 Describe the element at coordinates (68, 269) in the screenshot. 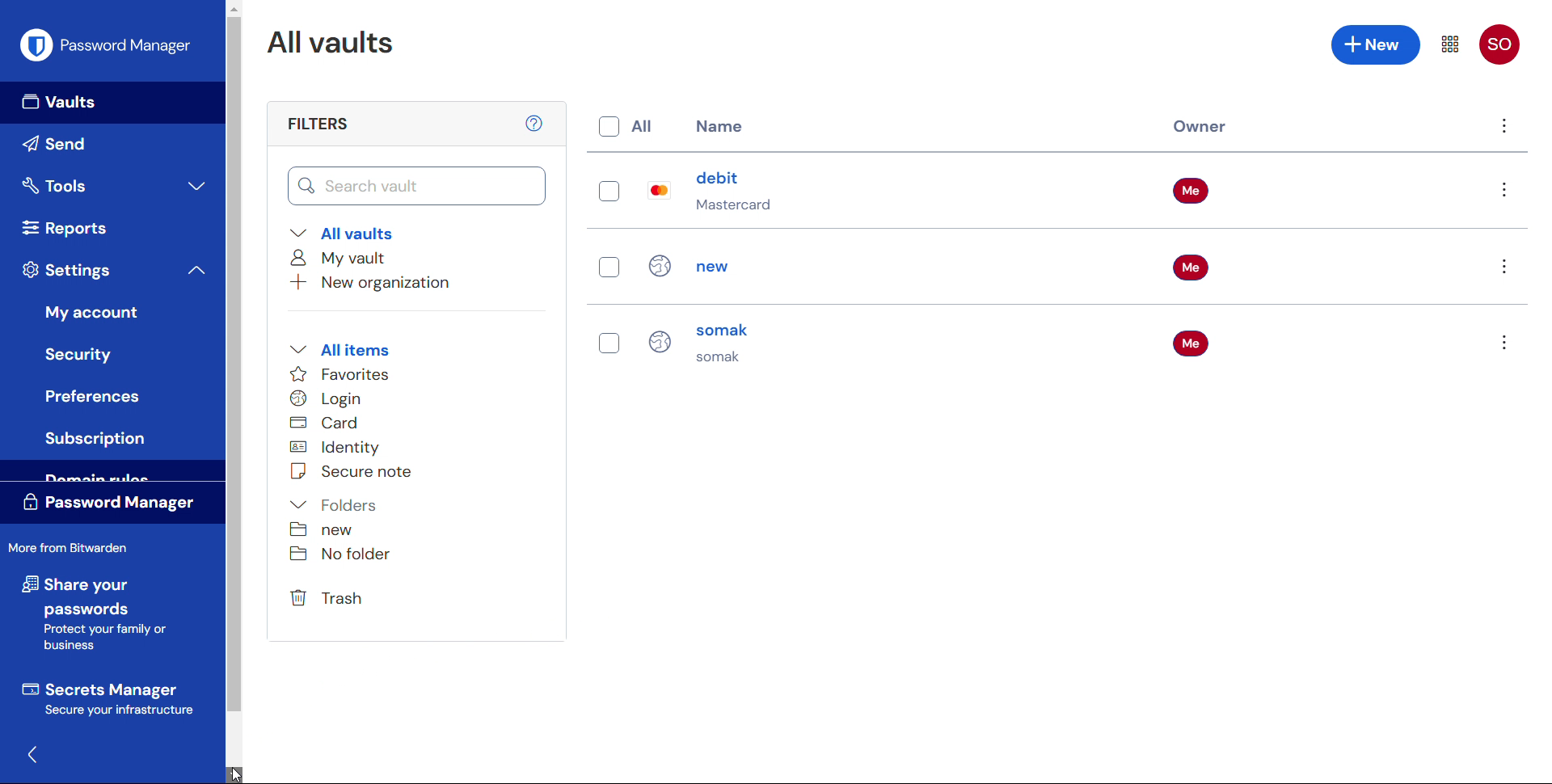

I see `Settings ` at that location.